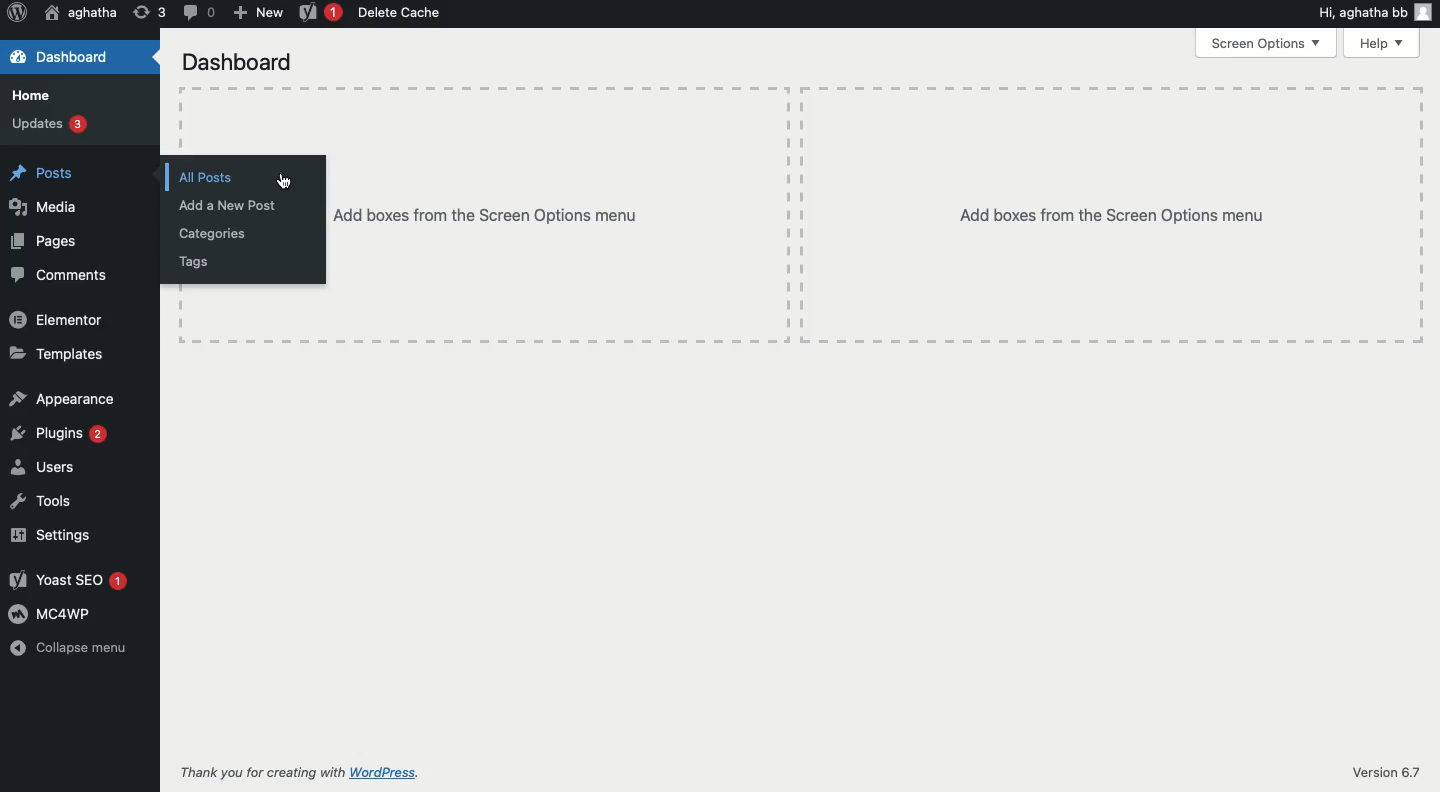 The height and width of the screenshot is (792, 1440). Describe the element at coordinates (150, 12) in the screenshot. I see `Revision` at that location.